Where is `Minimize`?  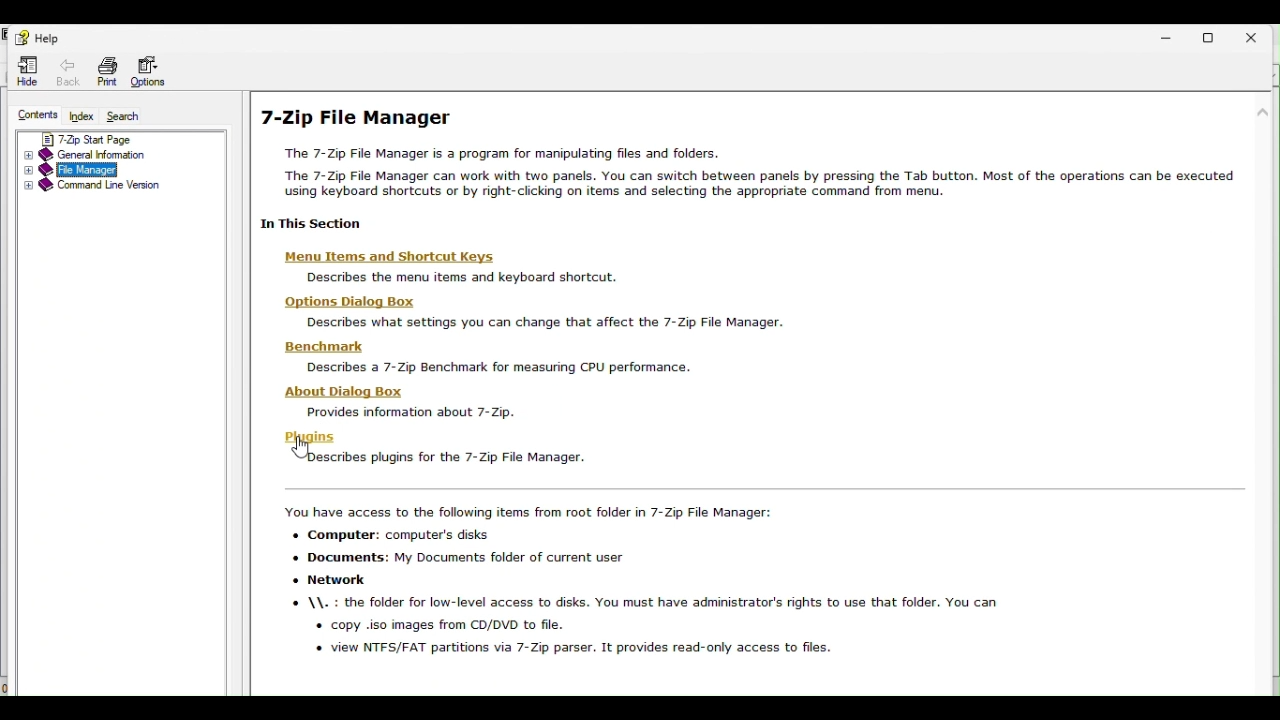
Minimize is located at coordinates (1168, 33).